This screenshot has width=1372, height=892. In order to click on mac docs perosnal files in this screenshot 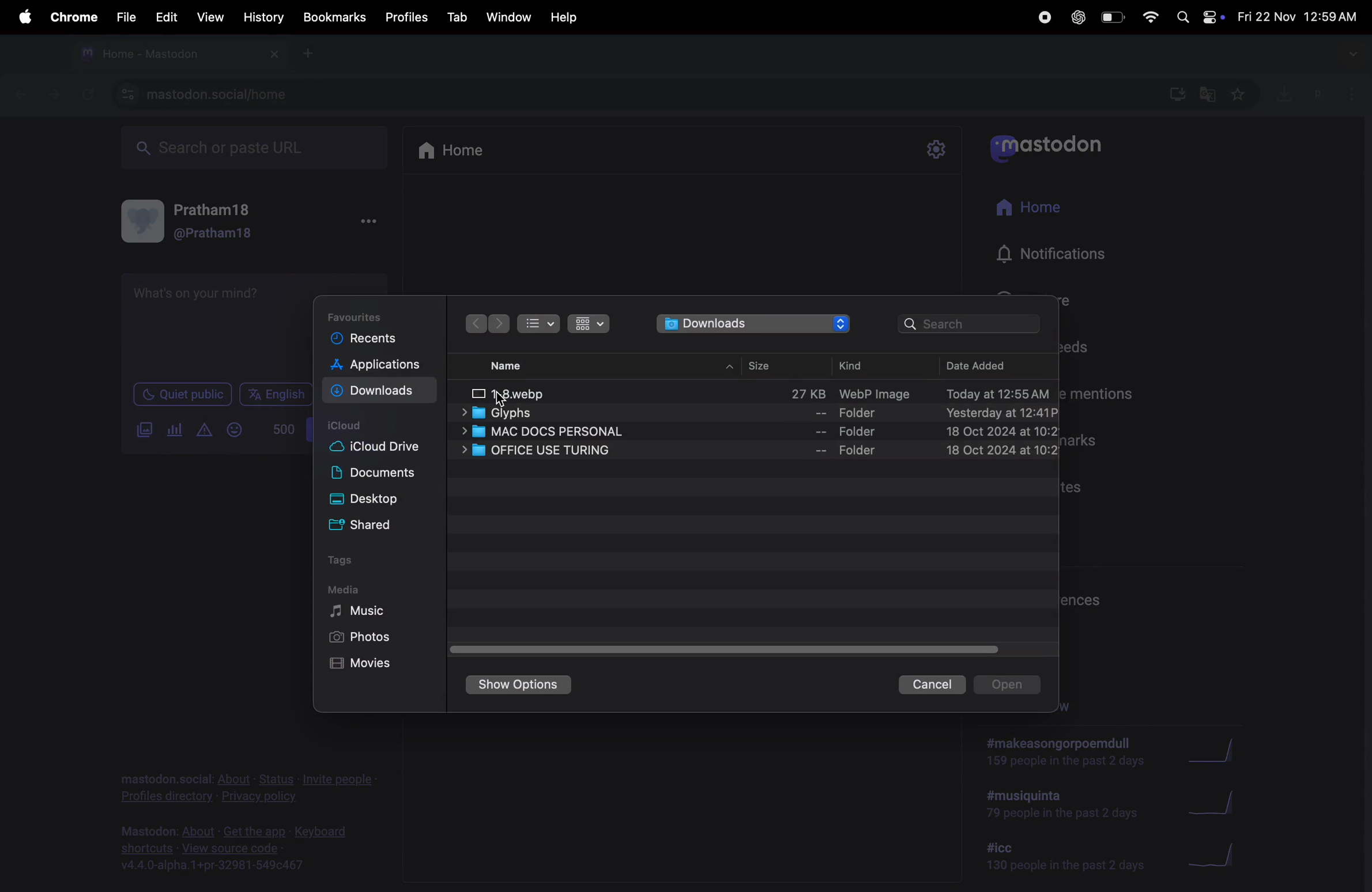, I will do `click(758, 433)`.